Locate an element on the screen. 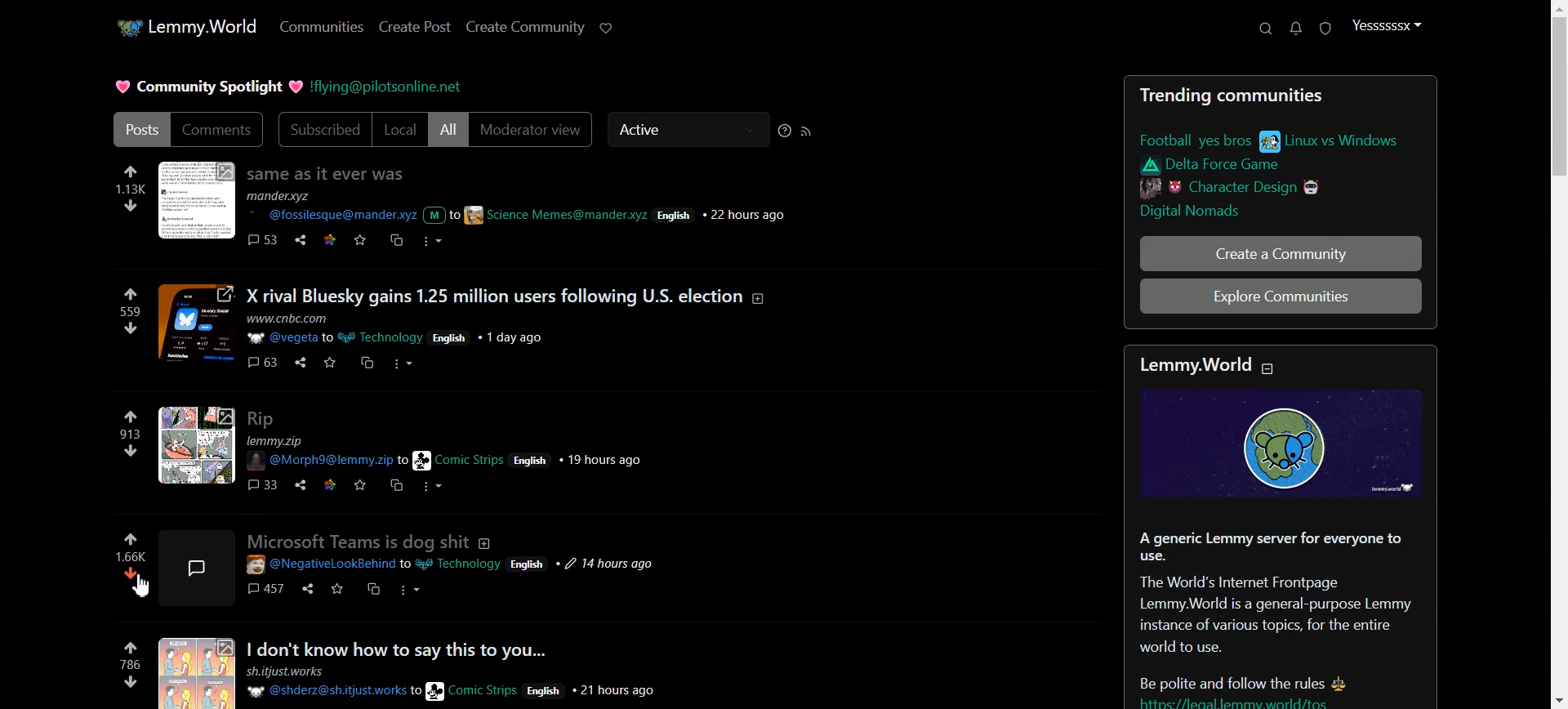 This screenshot has height=709, width=1568. link is located at coordinates (330, 239).